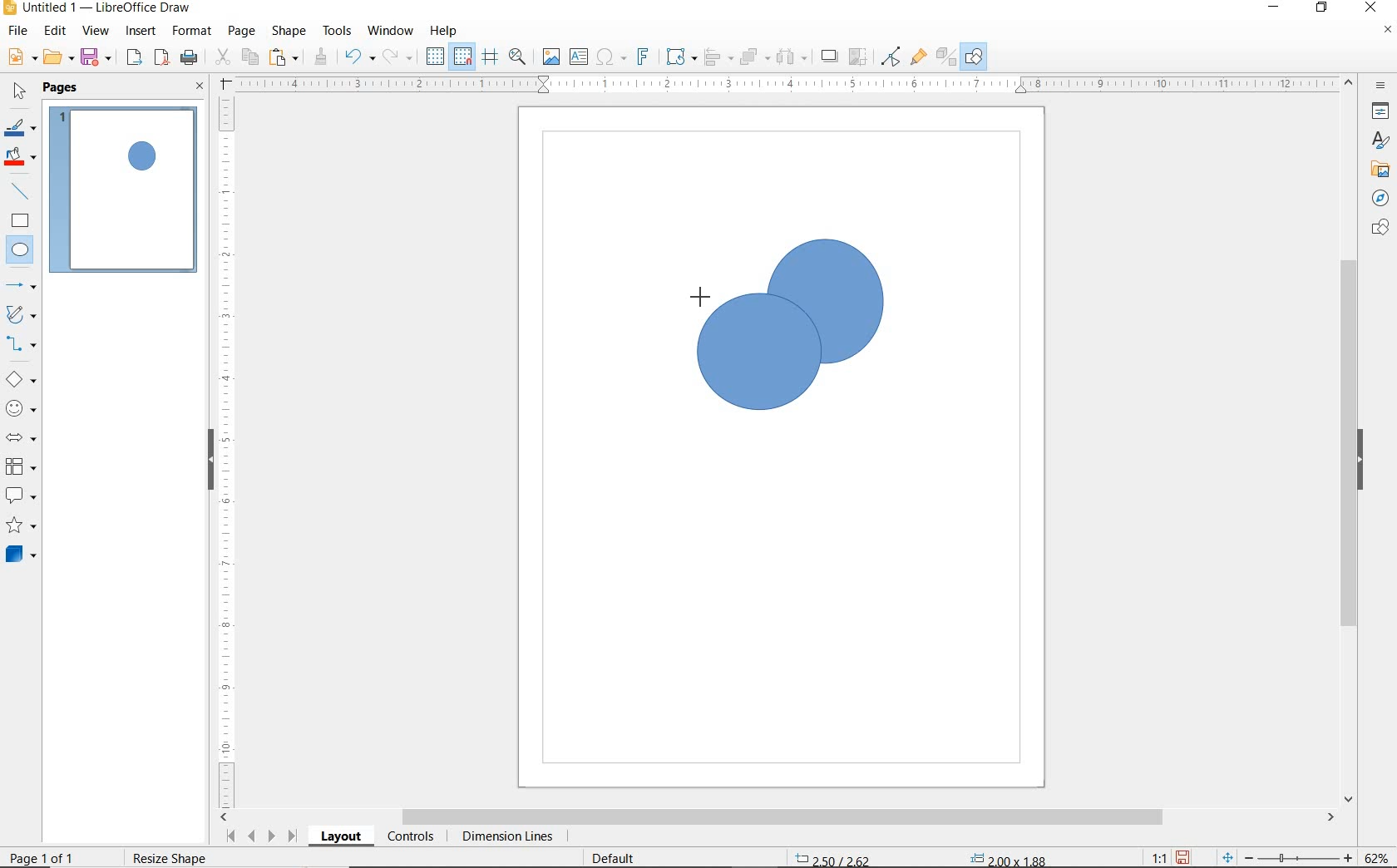 The image size is (1397, 868). What do you see at coordinates (223, 57) in the screenshot?
I see `CUT` at bounding box center [223, 57].